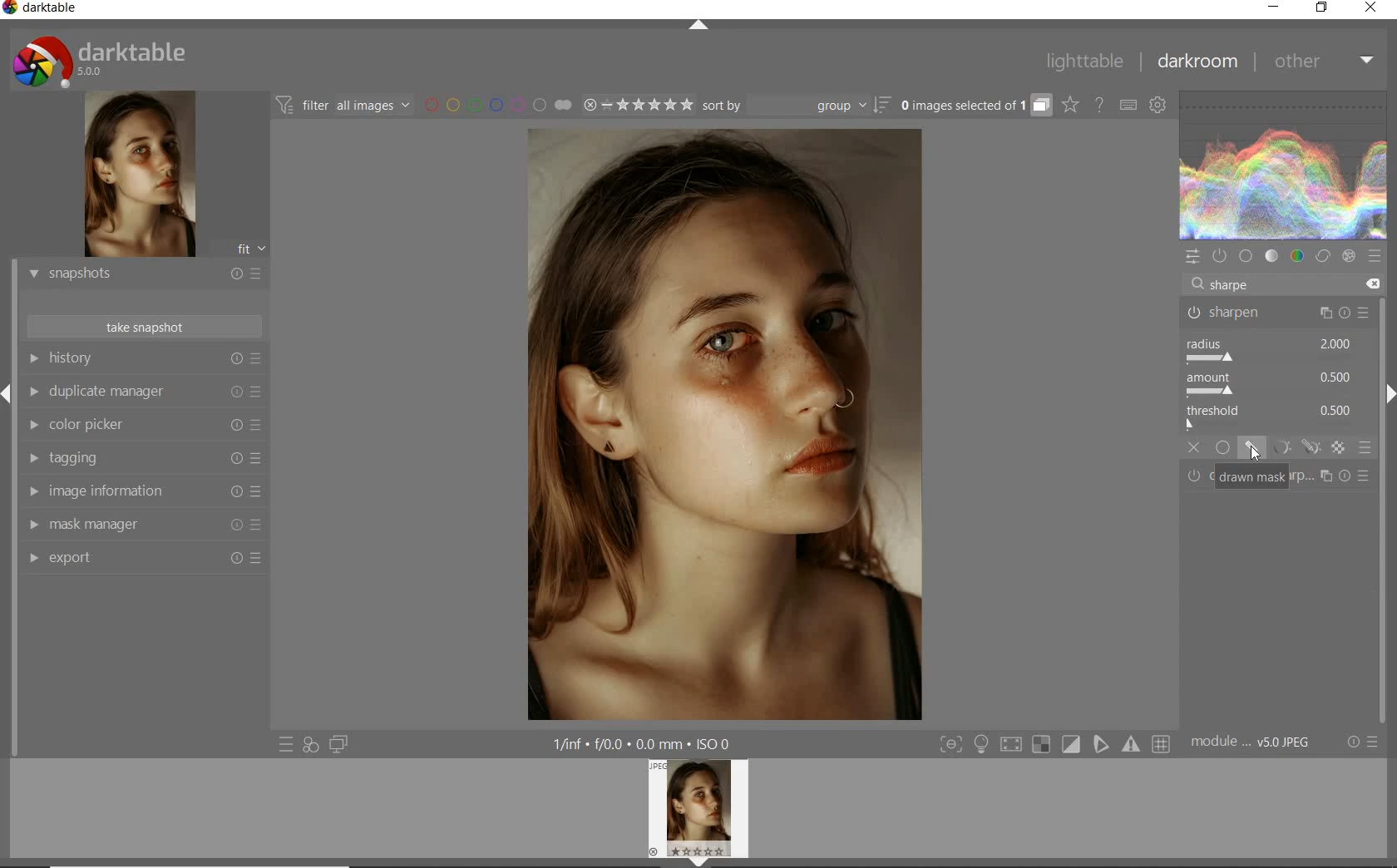 The height and width of the screenshot is (868, 1397). I want to click on image formation, so click(141, 491).